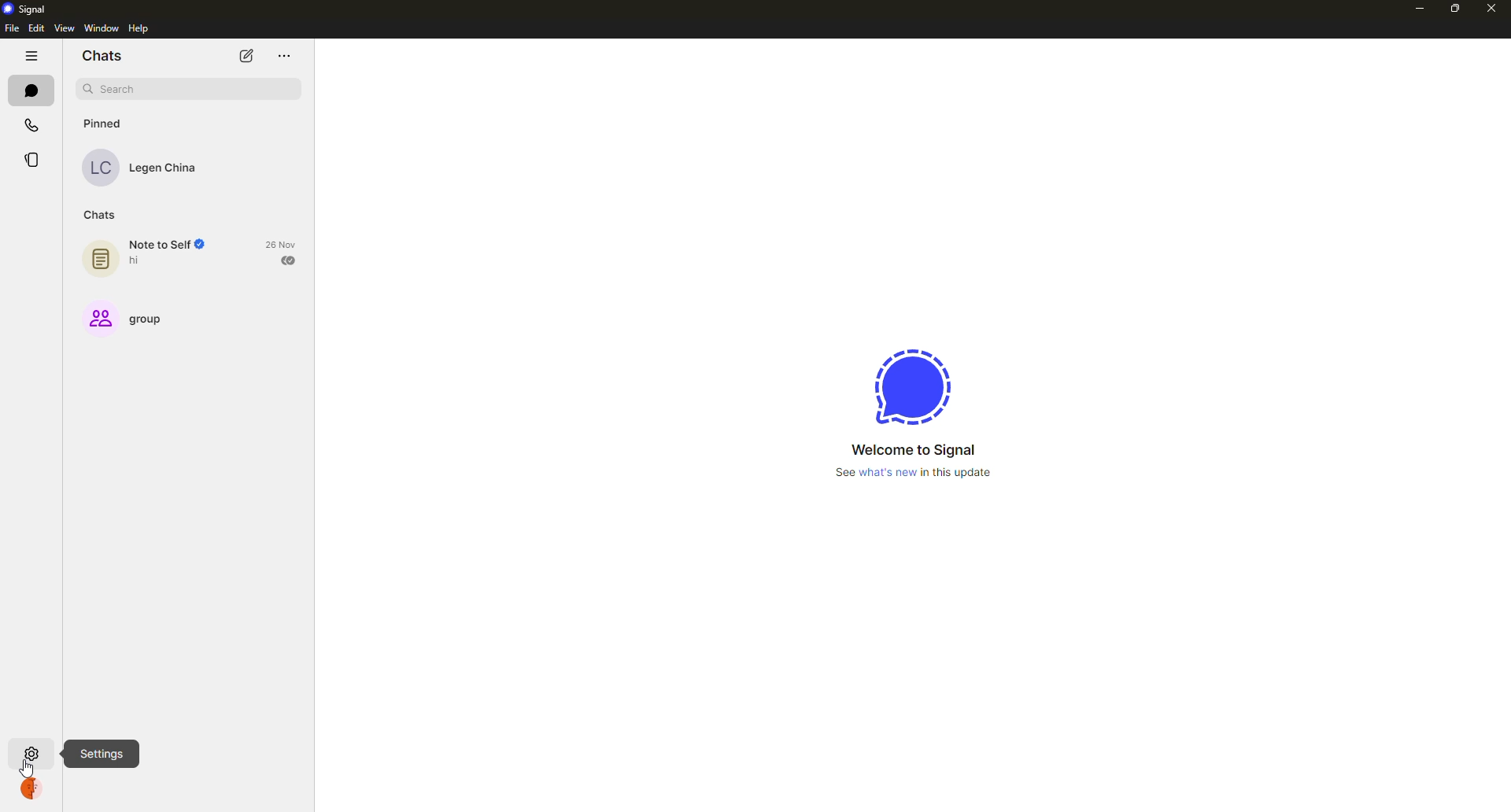  What do you see at coordinates (143, 167) in the screenshot?
I see `contact` at bounding box center [143, 167].